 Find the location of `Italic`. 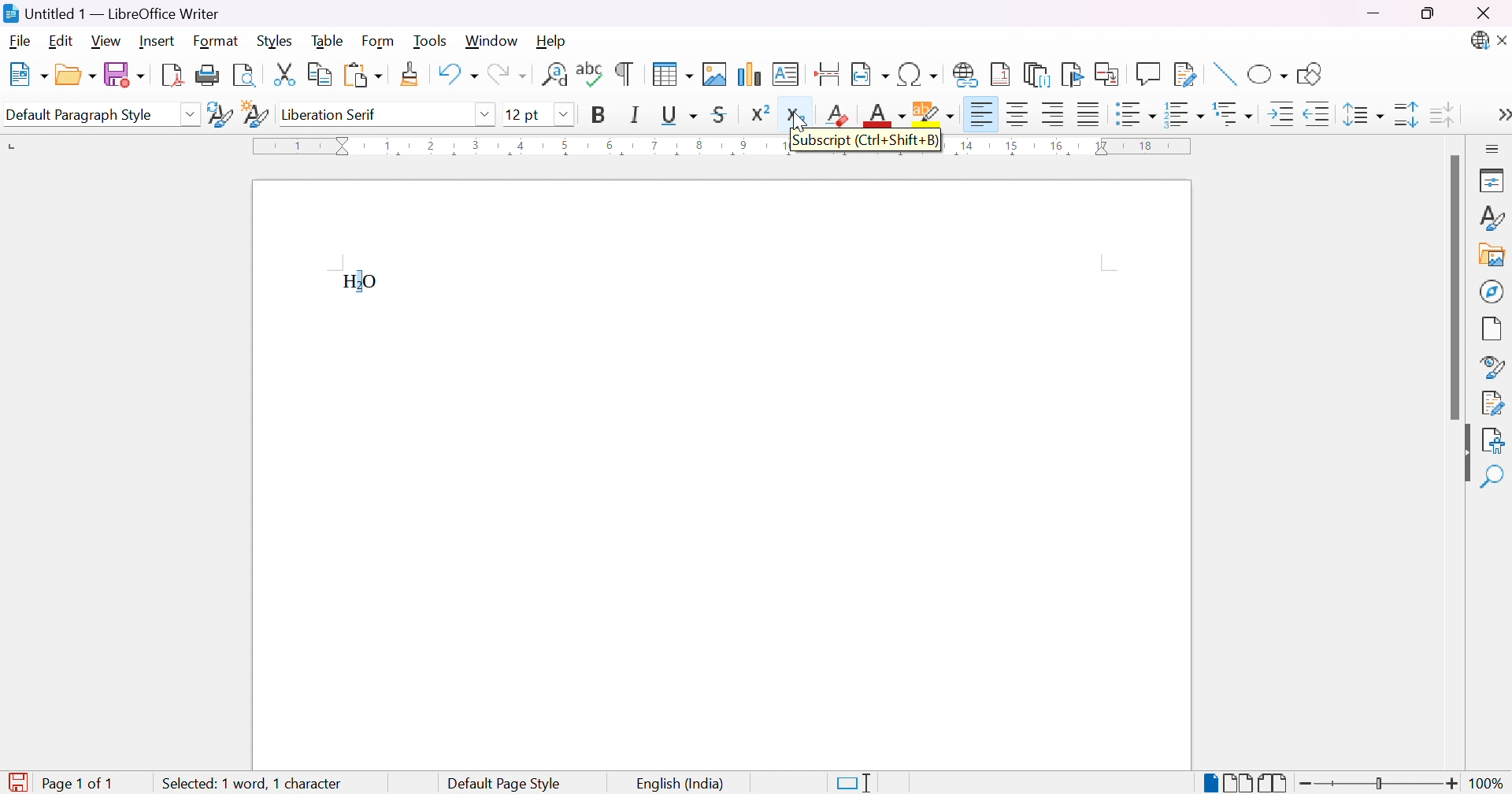

Italic is located at coordinates (636, 114).